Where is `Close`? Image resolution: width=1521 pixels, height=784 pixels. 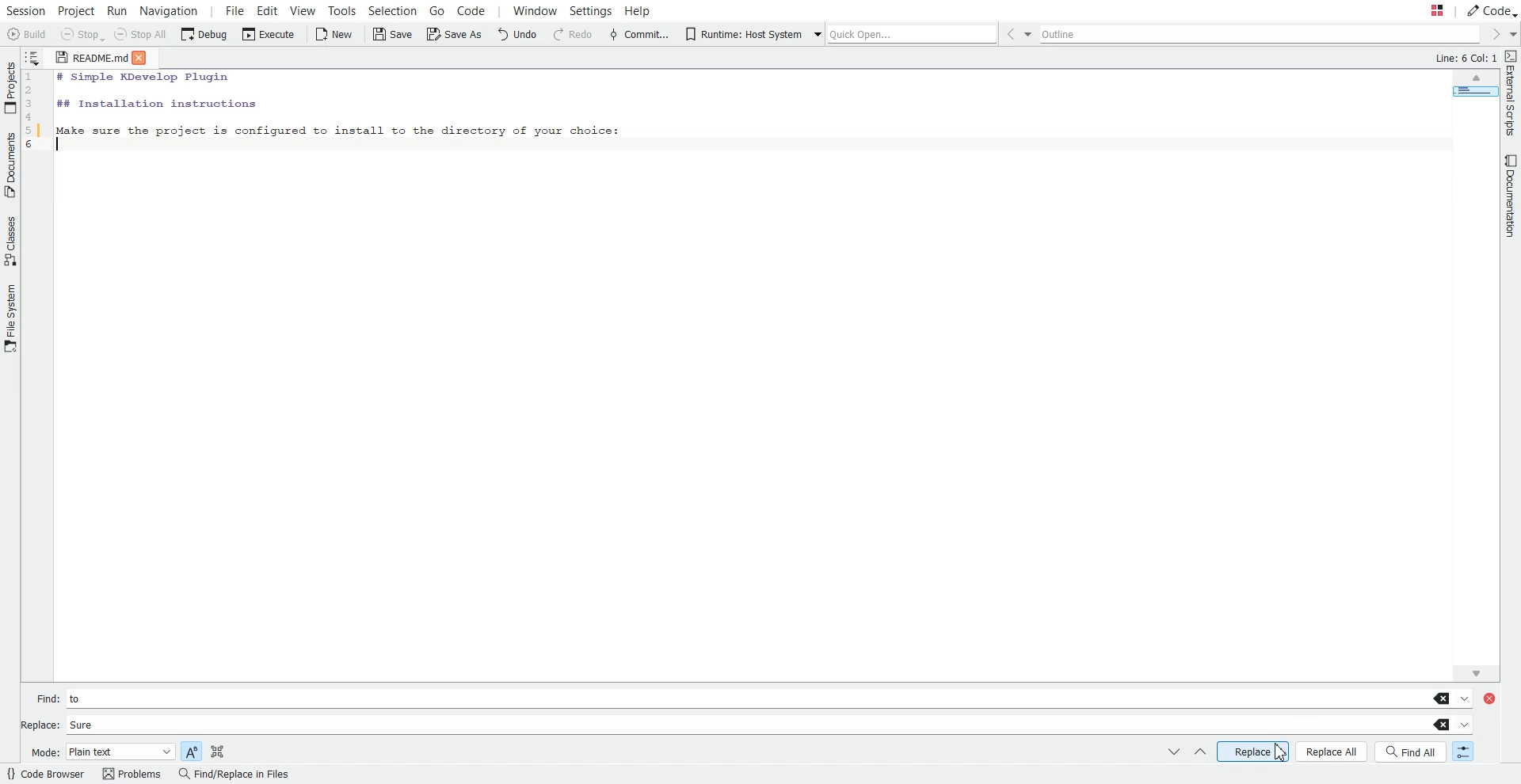
Close is located at coordinates (145, 57).